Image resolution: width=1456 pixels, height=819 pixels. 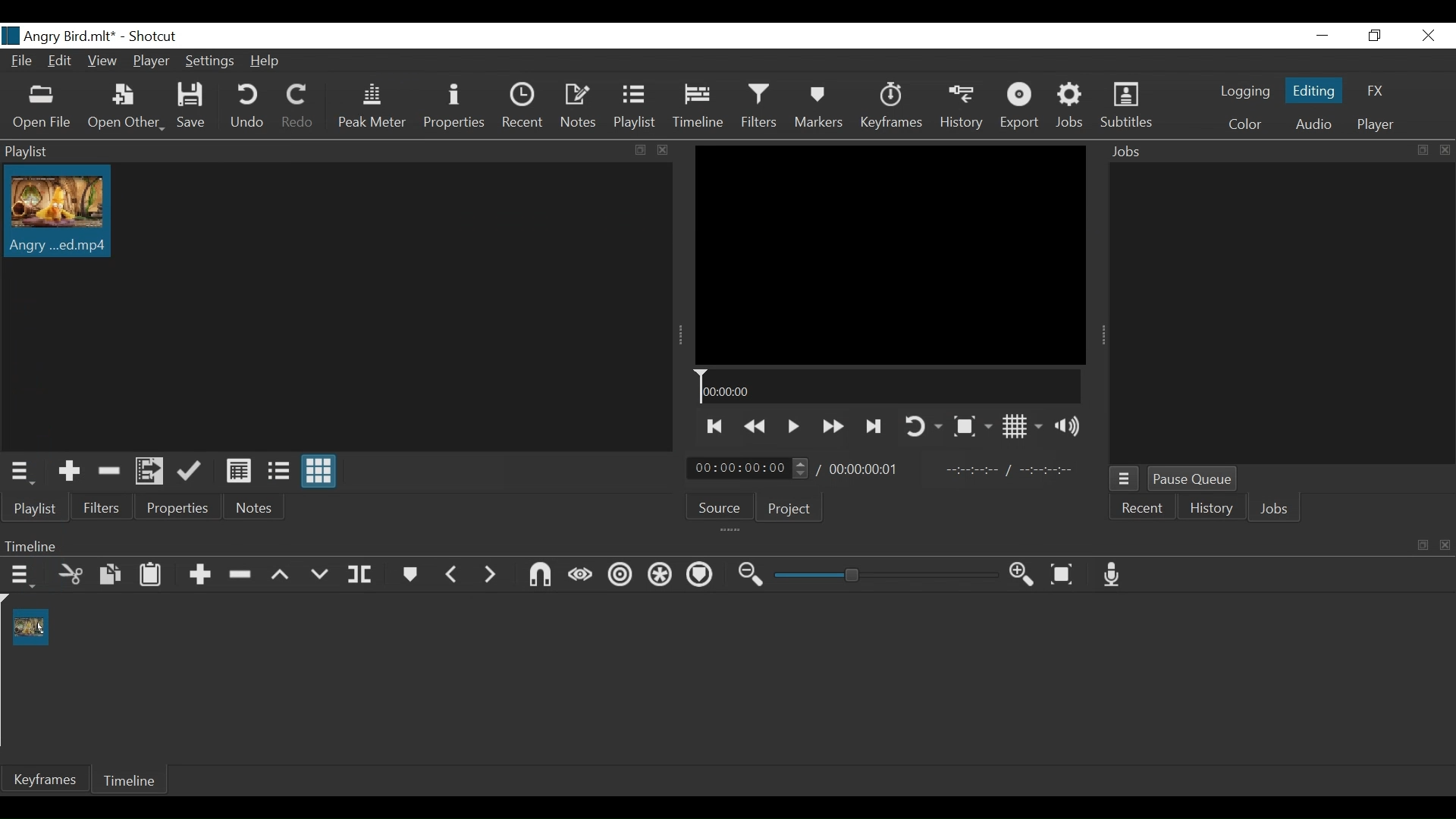 I want to click on Filters, so click(x=102, y=505).